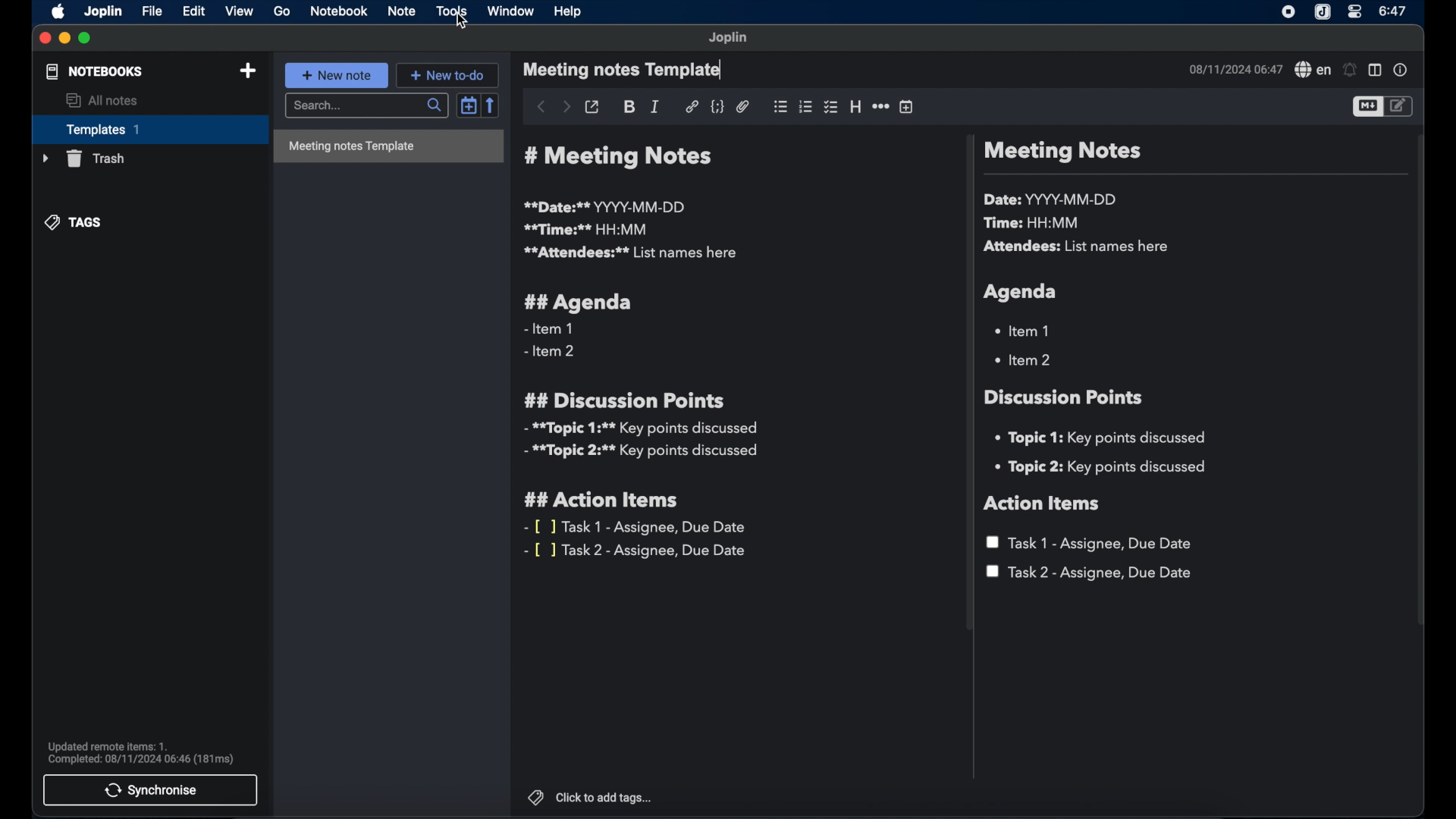  What do you see at coordinates (401, 11) in the screenshot?
I see `note` at bounding box center [401, 11].